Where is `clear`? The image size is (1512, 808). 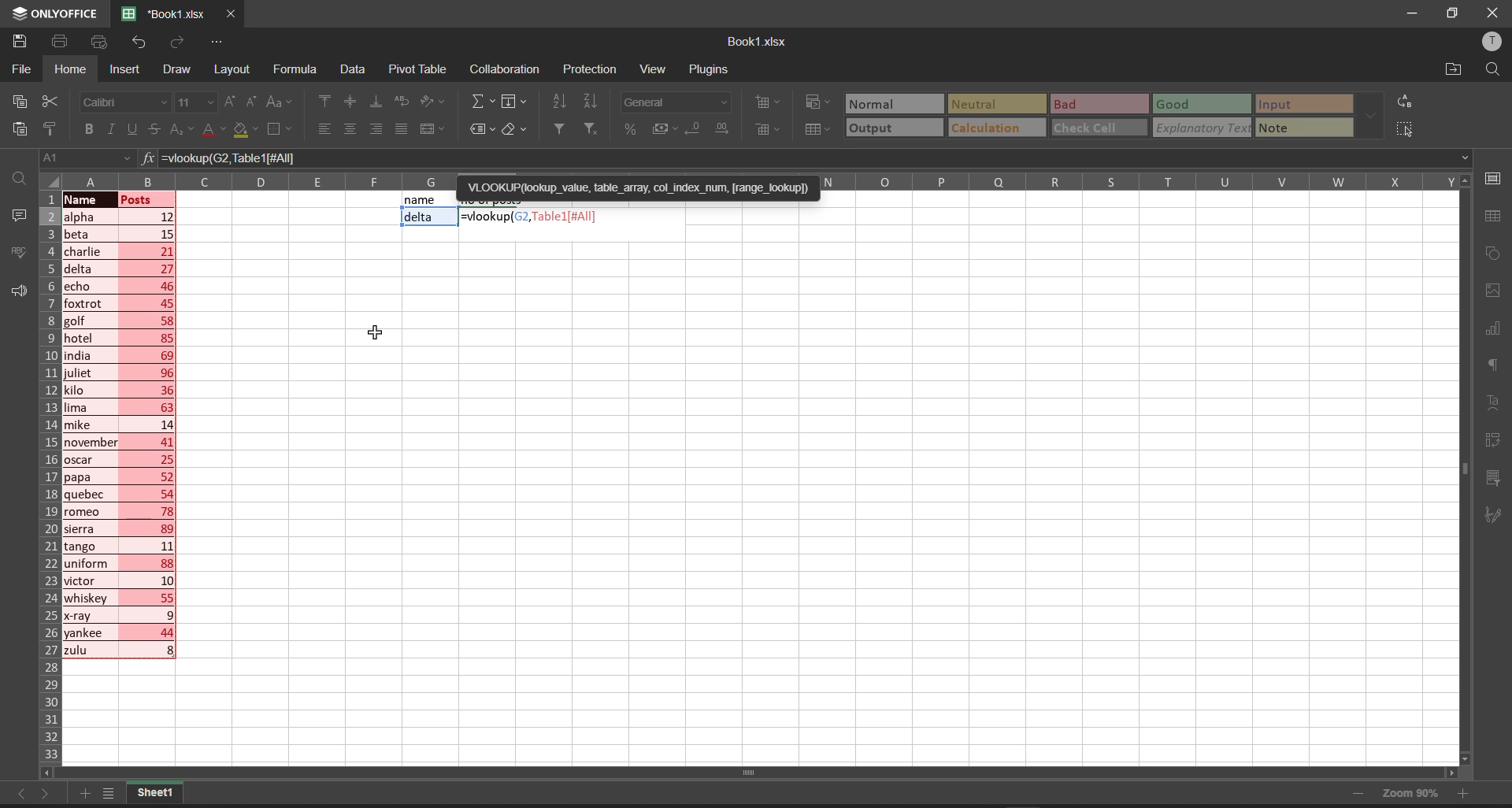 clear is located at coordinates (515, 130).